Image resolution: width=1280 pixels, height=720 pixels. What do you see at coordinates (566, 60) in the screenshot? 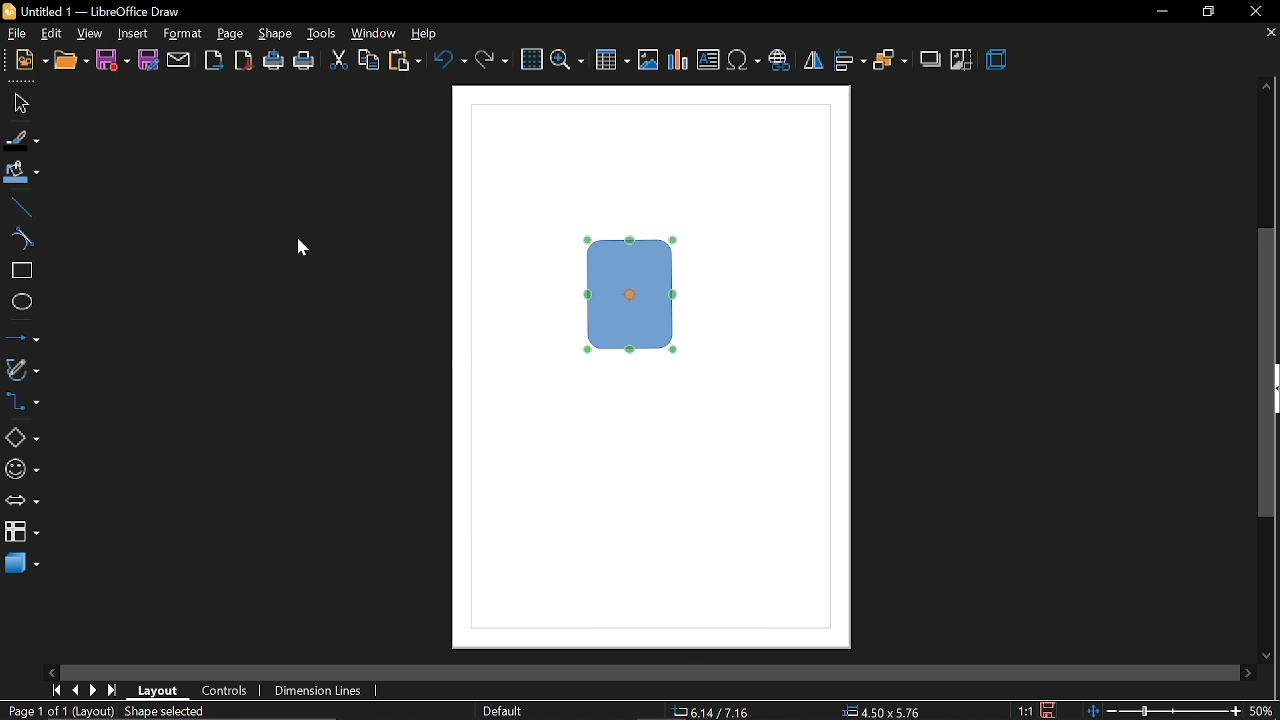
I see `zoom` at bounding box center [566, 60].